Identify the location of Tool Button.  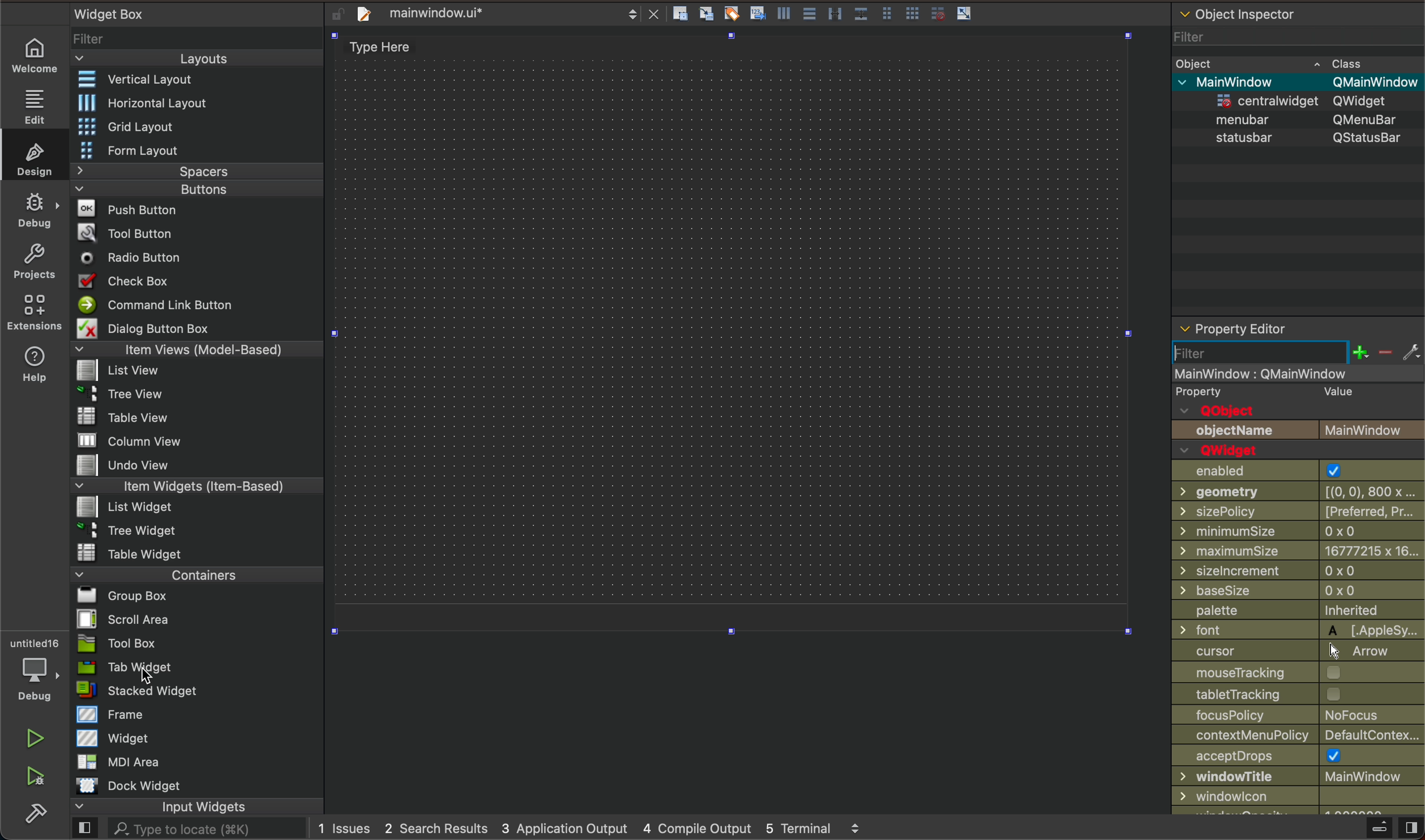
(125, 235).